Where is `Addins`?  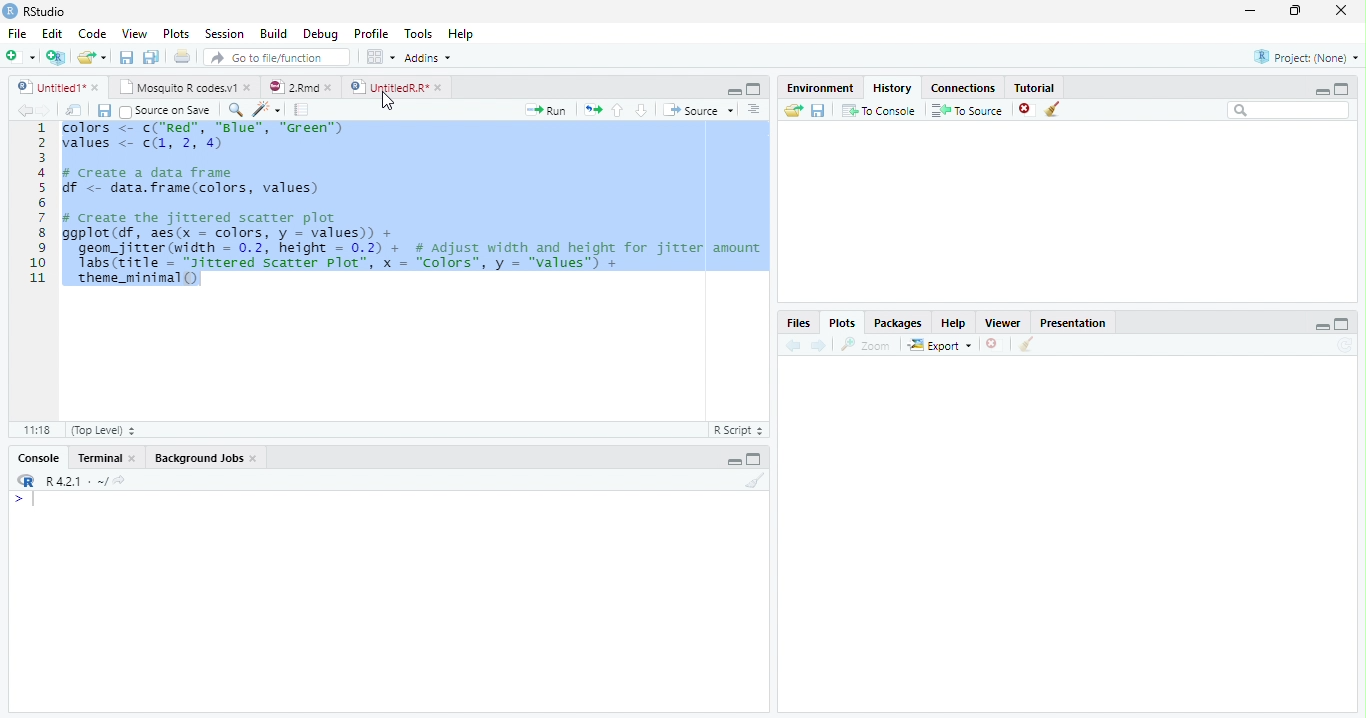
Addins is located at coordinates (428, 58).